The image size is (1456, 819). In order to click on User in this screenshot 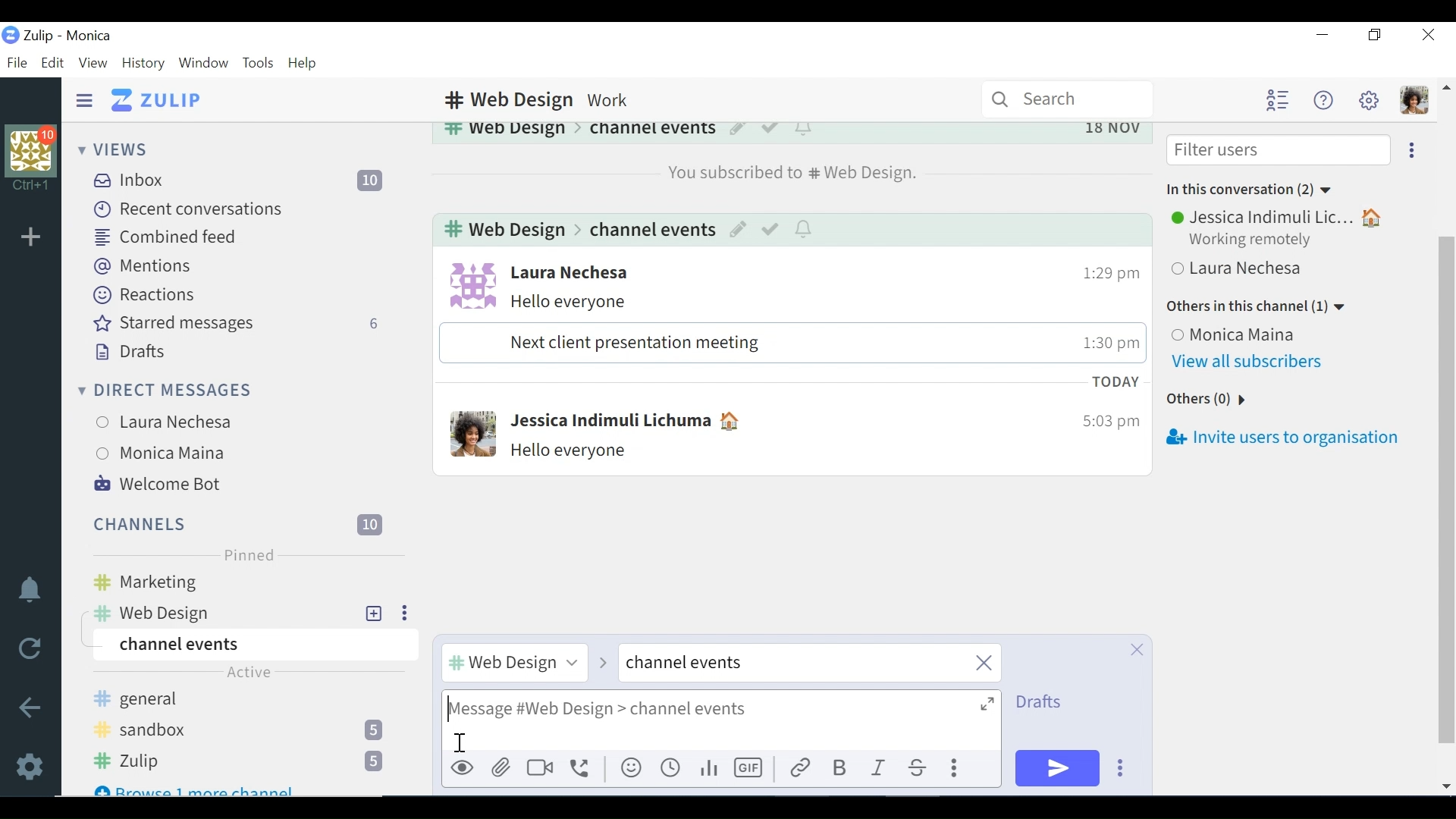, I will do `click(1281, 337)`.